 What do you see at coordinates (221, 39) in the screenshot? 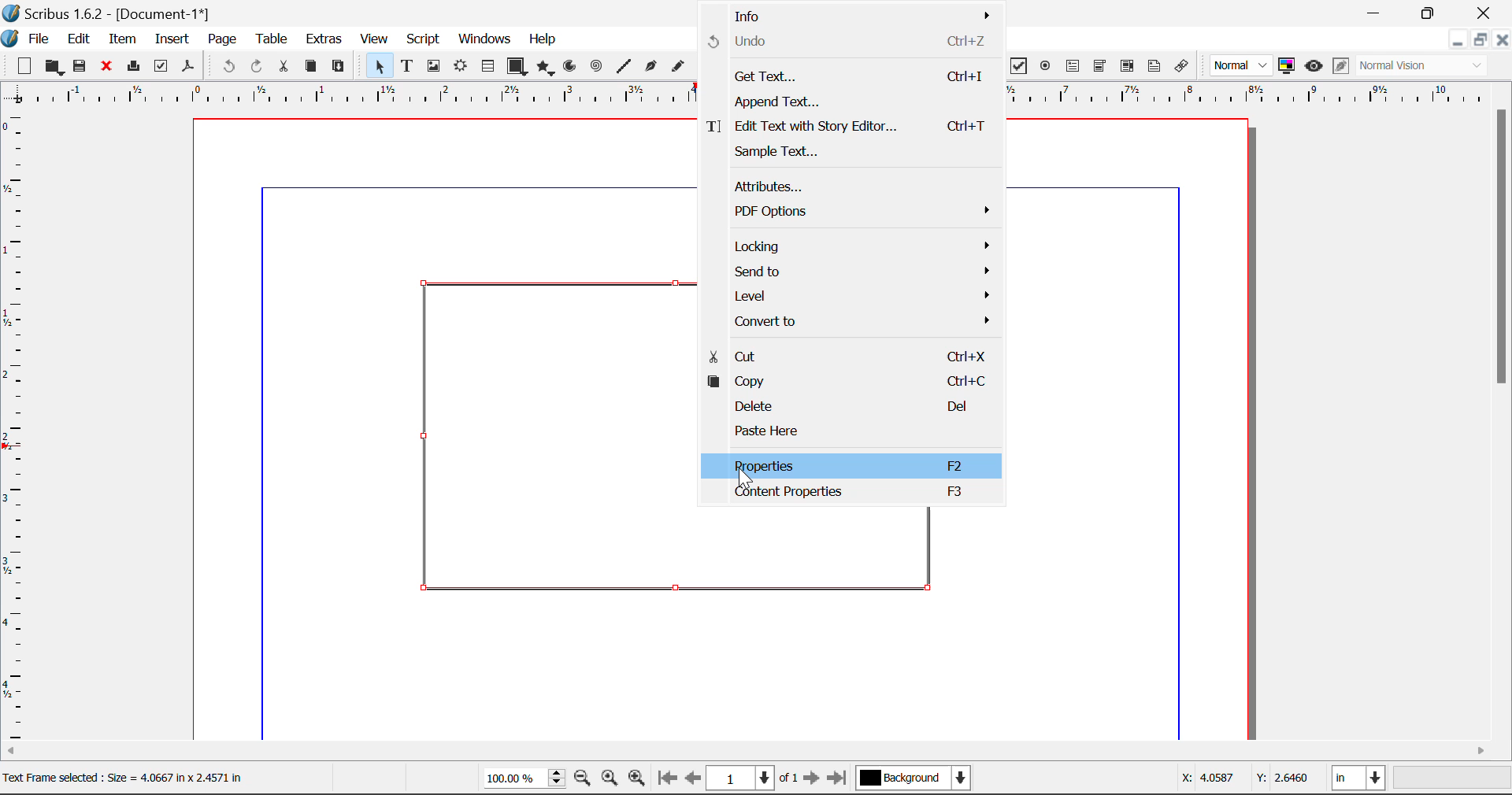
I see `Page` at bounding box center [221, 39].